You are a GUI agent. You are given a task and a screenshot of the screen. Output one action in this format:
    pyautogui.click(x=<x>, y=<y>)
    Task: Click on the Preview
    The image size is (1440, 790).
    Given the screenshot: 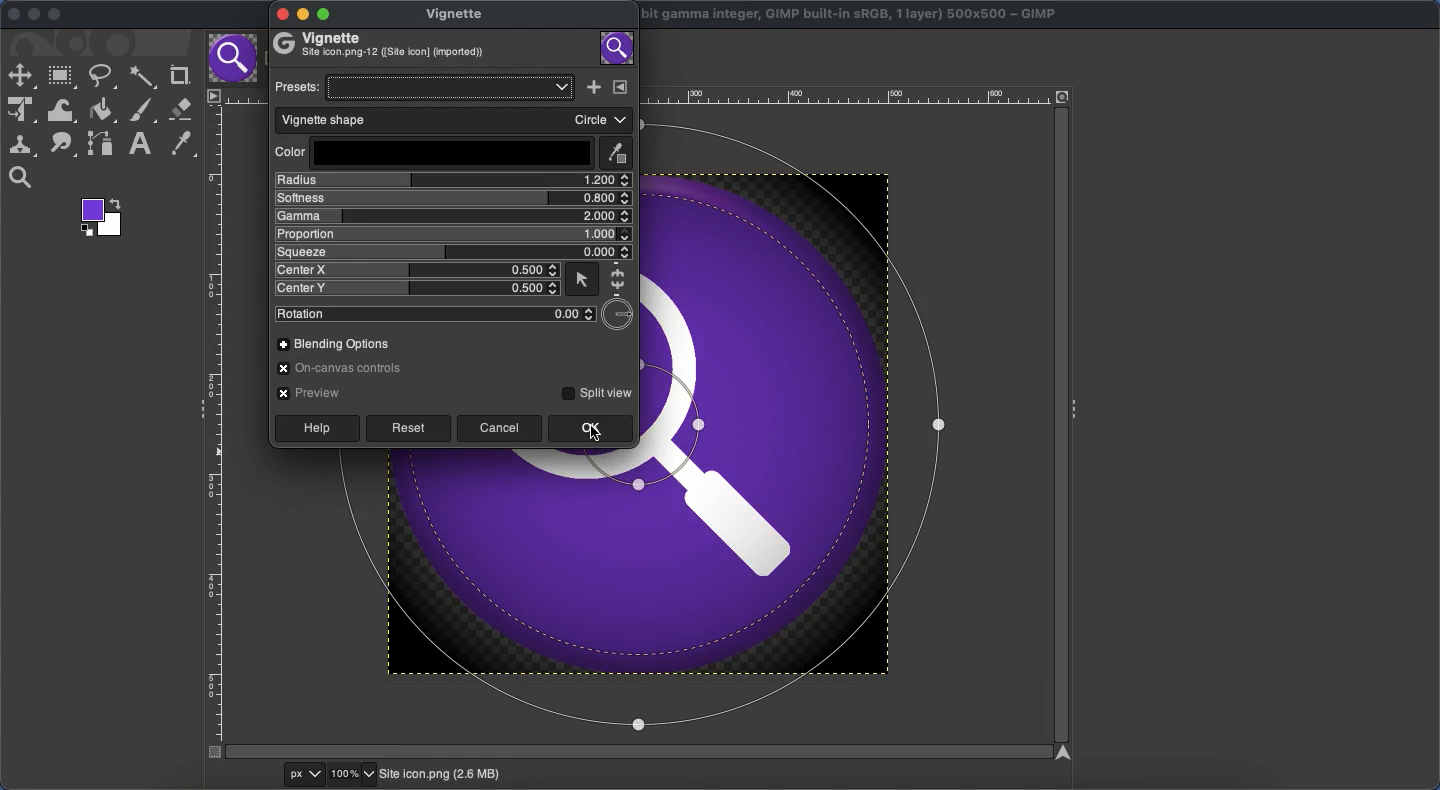 What is the action you would take?
    pyautogui.click(x=305, y=392)
    